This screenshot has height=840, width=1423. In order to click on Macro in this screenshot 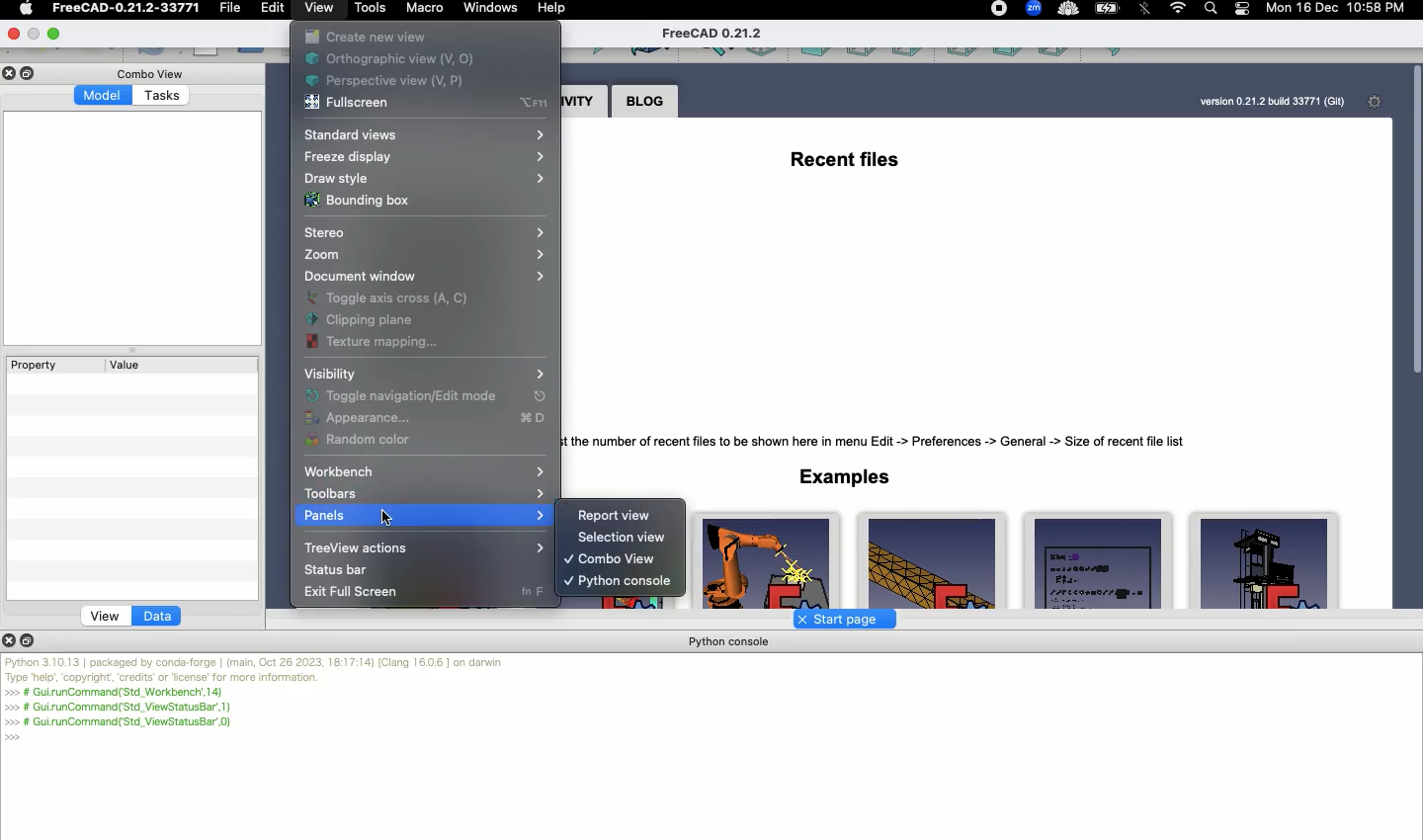, I will do `click(426, 9)`.